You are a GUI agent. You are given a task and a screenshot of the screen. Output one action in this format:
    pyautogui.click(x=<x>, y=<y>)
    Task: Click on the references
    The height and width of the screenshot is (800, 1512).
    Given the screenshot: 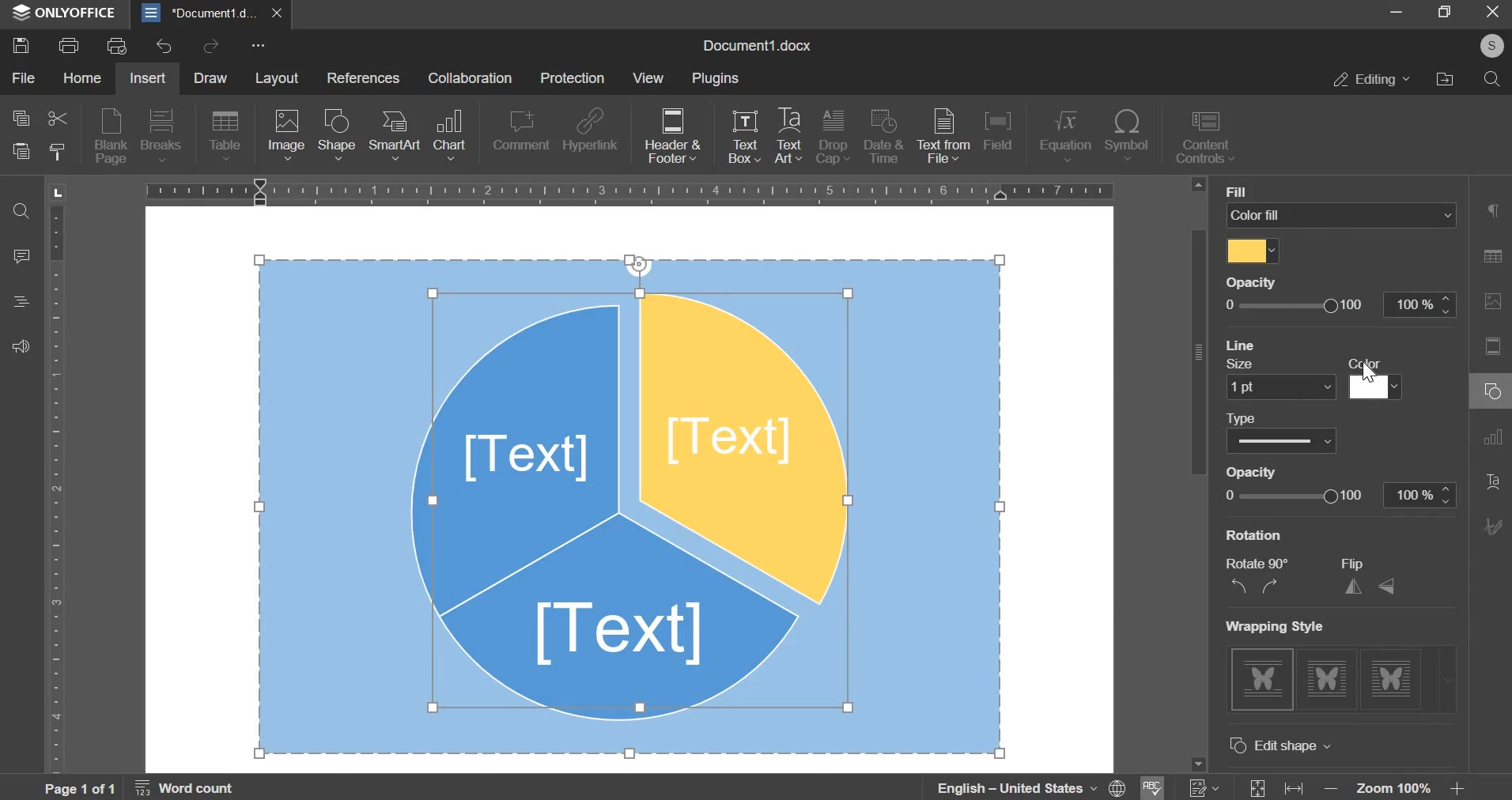 What is the action you would take?
    pyautogui.click(x=367, y=80)
    